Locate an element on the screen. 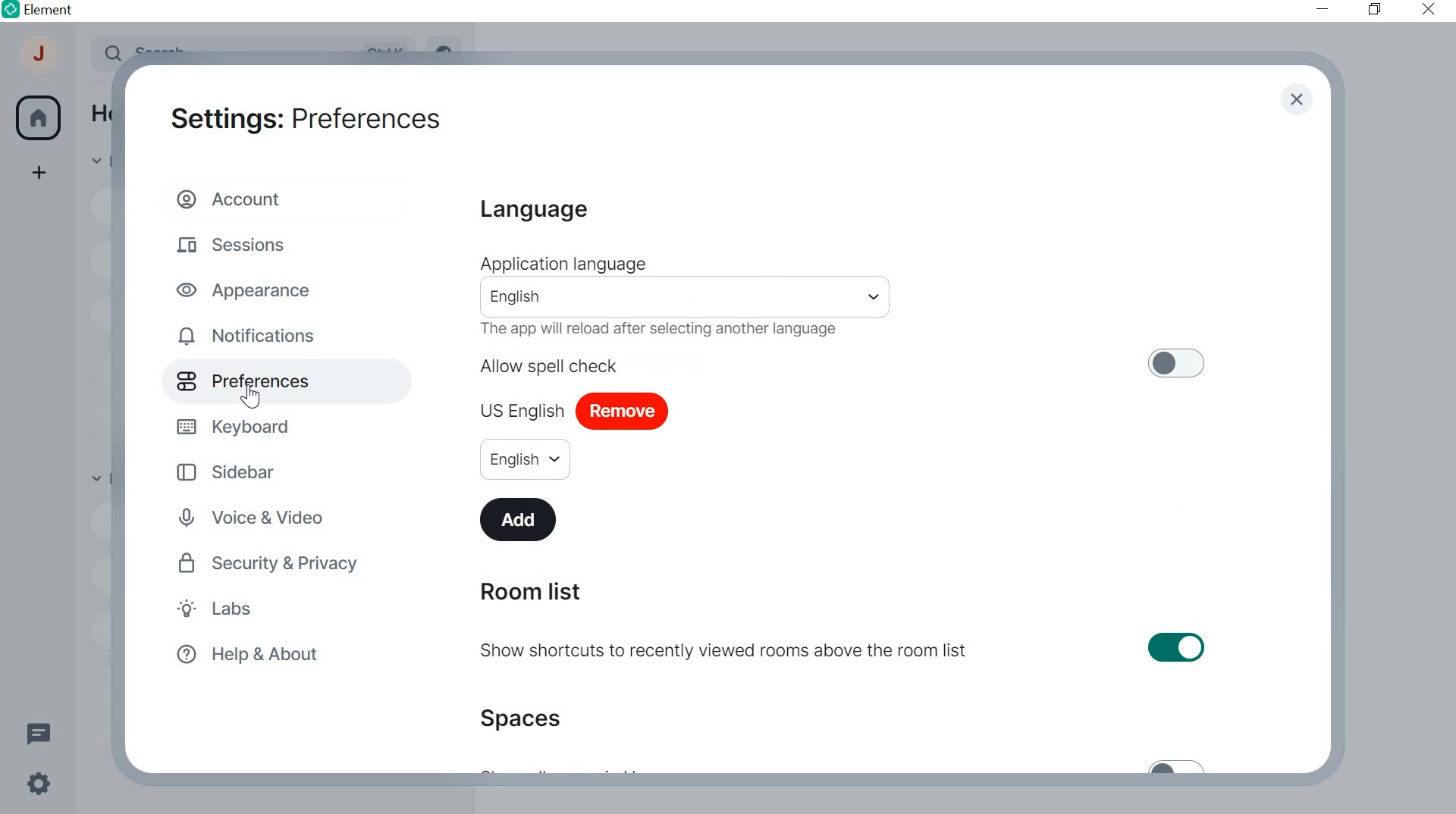 This screenshot has height=814, width=1456. THREADS is located at coordinates (38, 731).